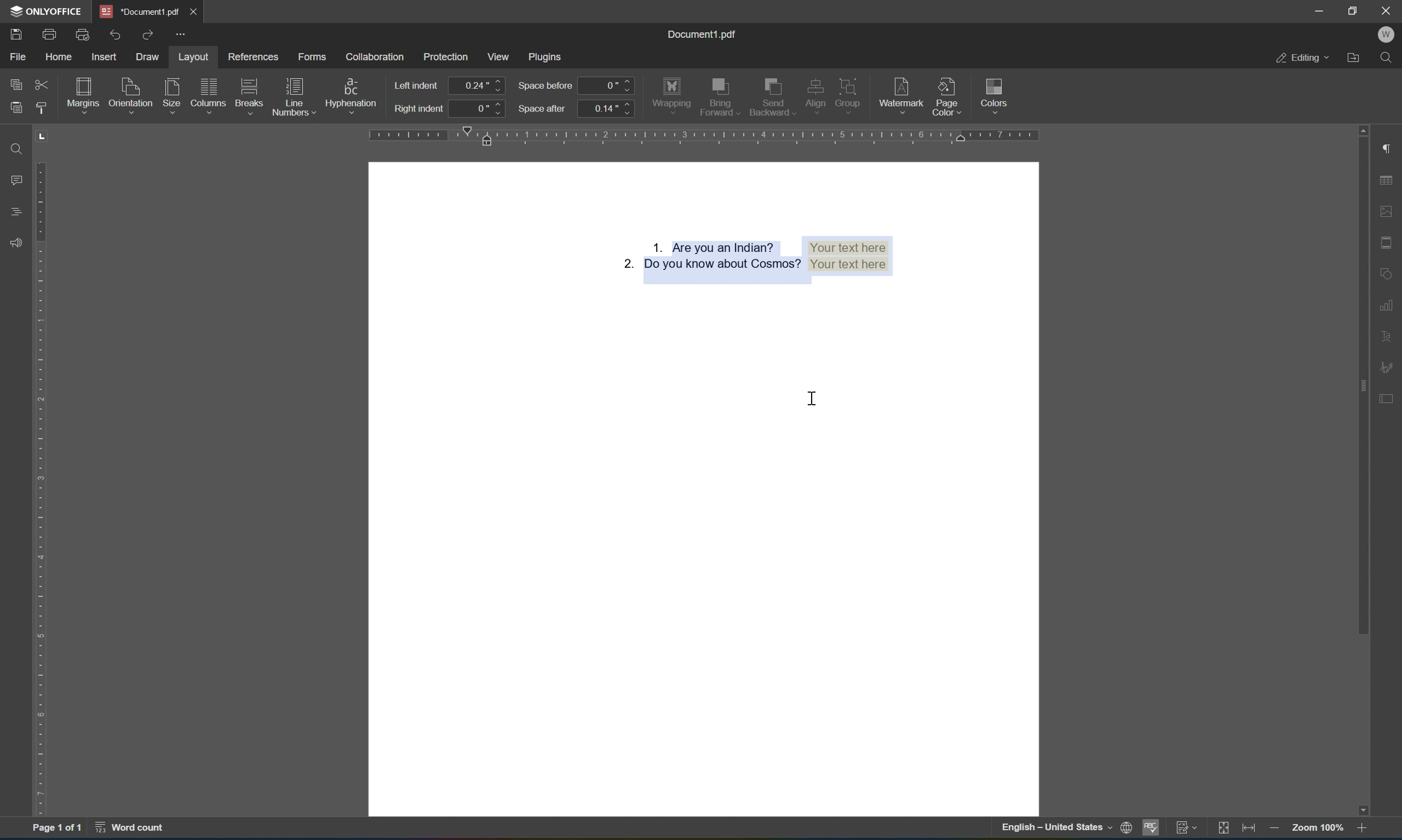 Image resolution: width=1402 pixels, height=840 pixels. What do you see at coordinates (147, 33) in the screenshot?
I see `redo` at bounding box center [147, 33].